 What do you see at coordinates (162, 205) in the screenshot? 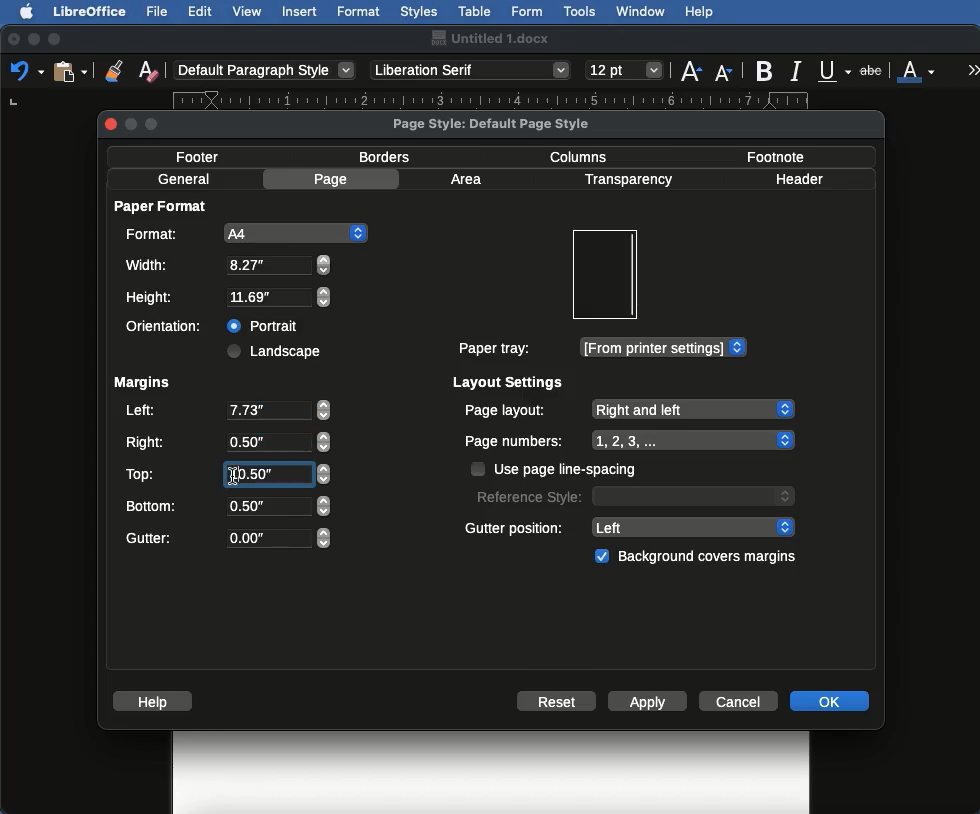
I see `Paper format` at bounding box center [162, 205].